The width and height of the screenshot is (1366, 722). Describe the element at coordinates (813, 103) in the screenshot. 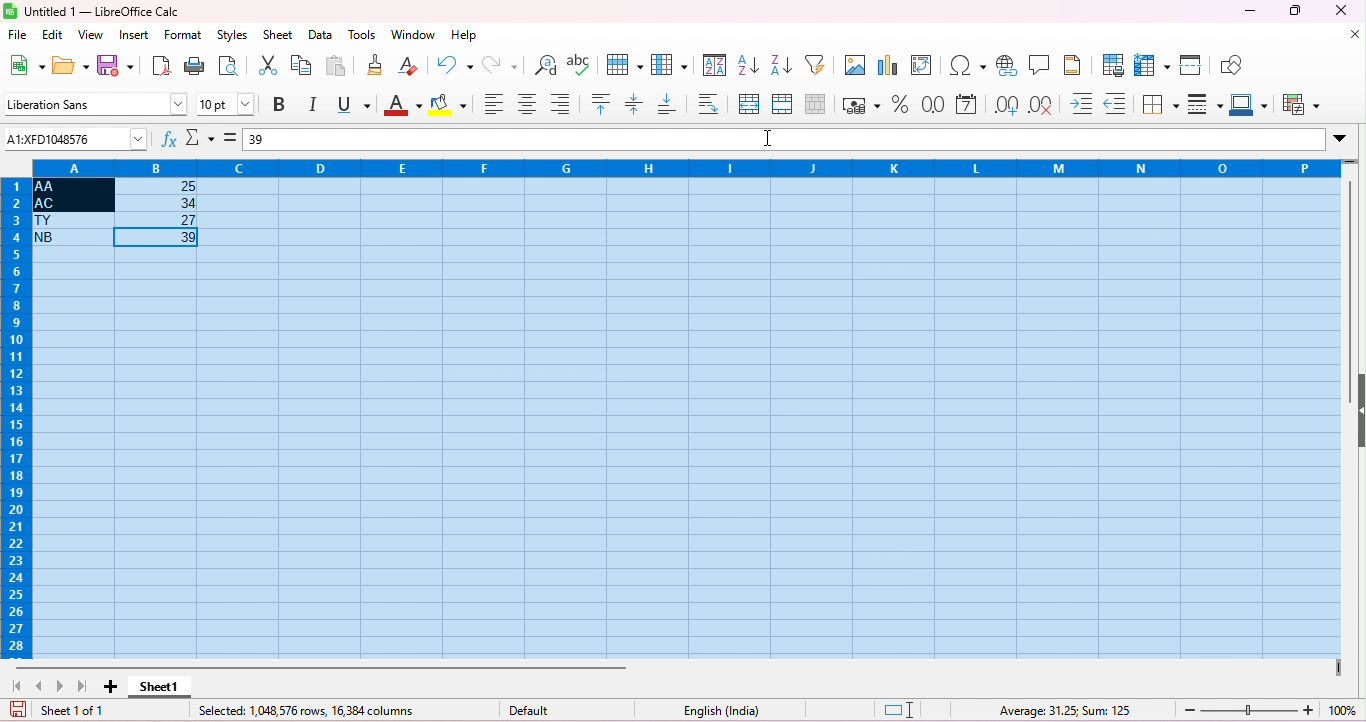

I see `unmerge` at that location.